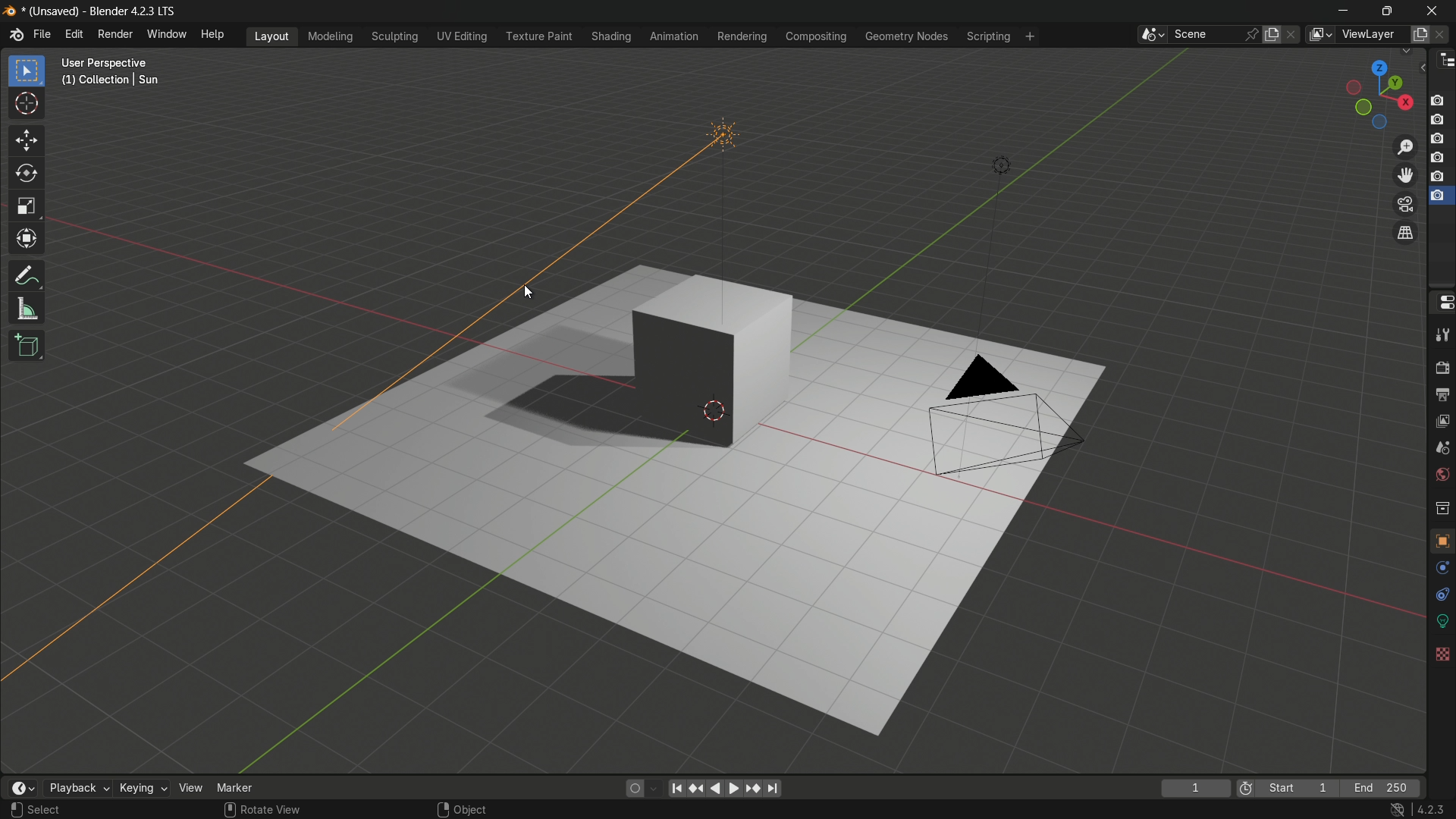 This screenshot has height=819, width=1456. I want to click on move, so click(28, 142).